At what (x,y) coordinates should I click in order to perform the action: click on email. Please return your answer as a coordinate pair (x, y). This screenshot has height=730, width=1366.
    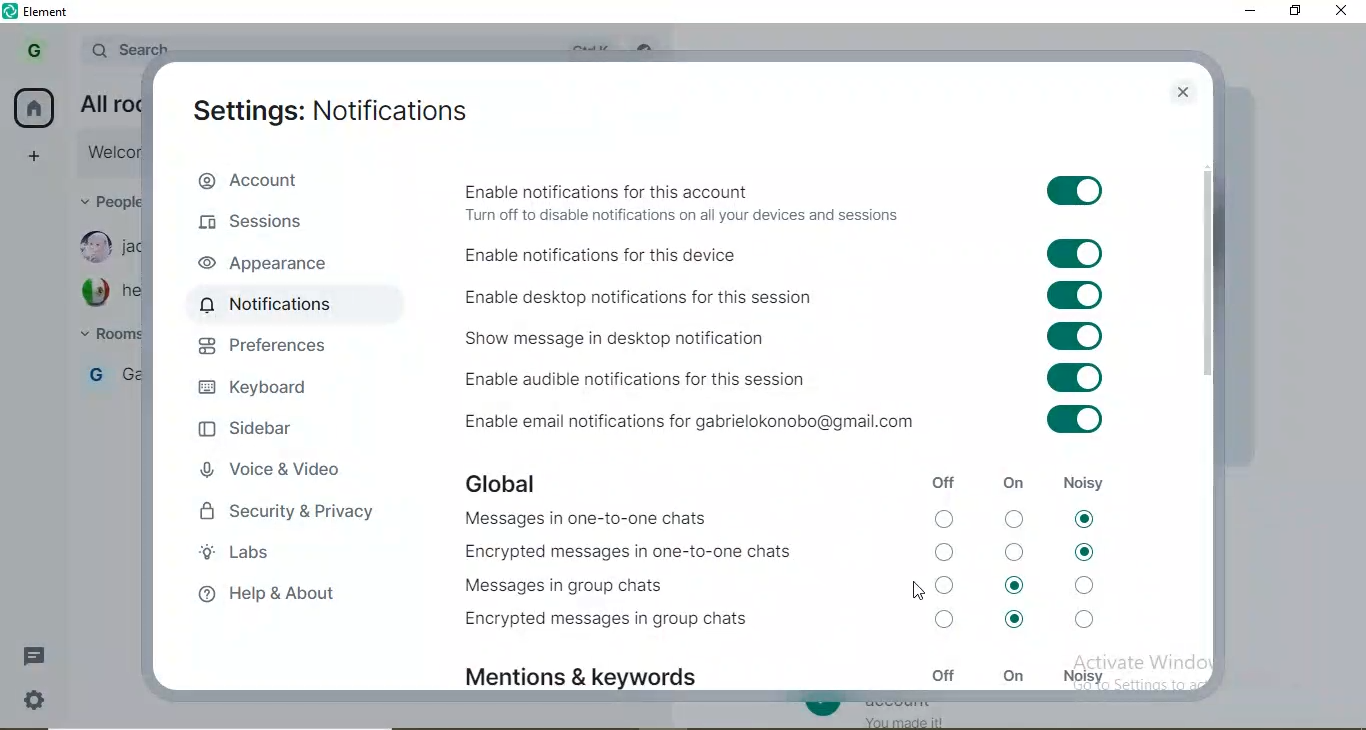
    Looking at the image, I should click on (110, 103).